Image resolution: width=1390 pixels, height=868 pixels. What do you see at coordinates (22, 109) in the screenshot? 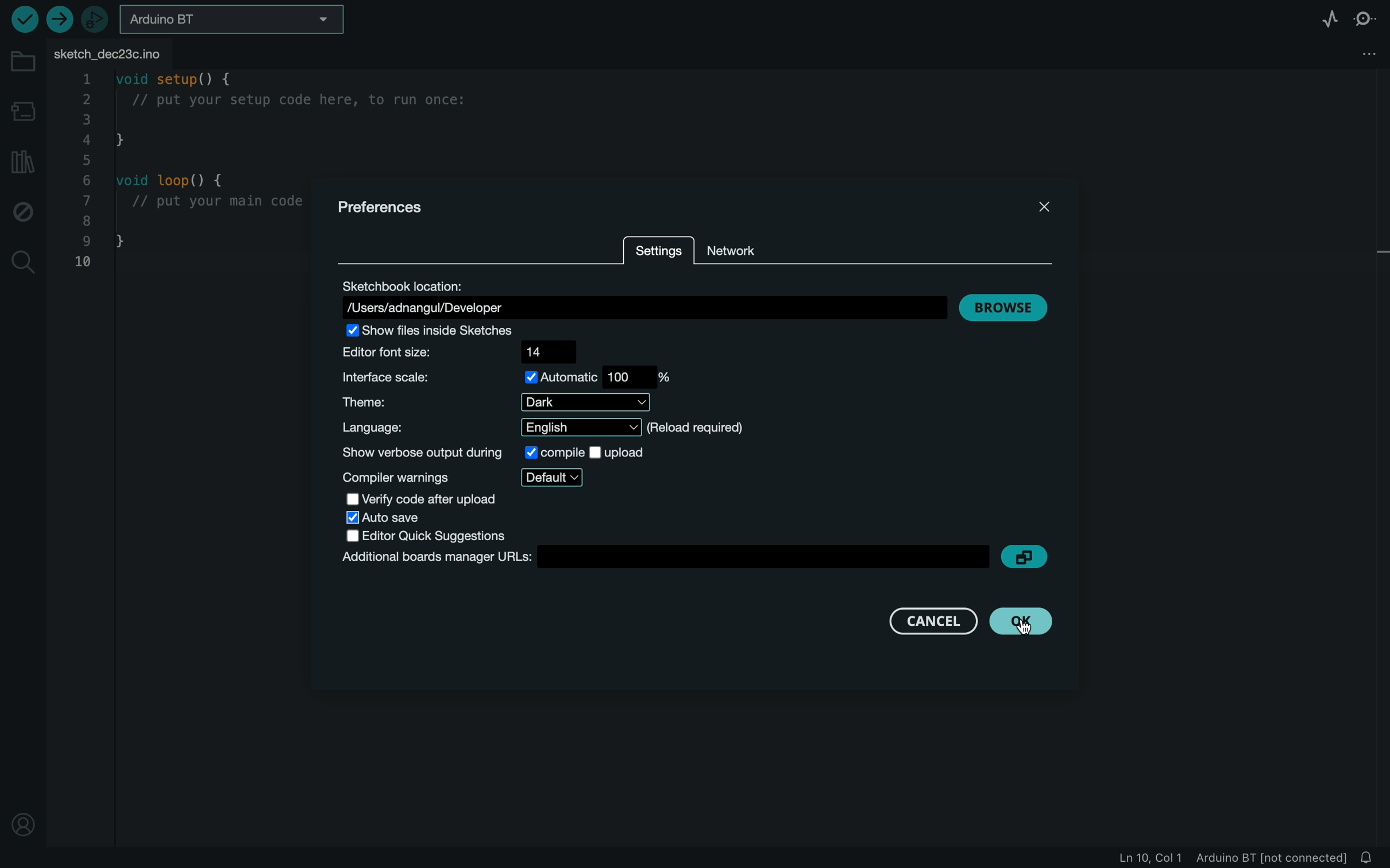
I see `board manager` at bounding box center [22, 109].